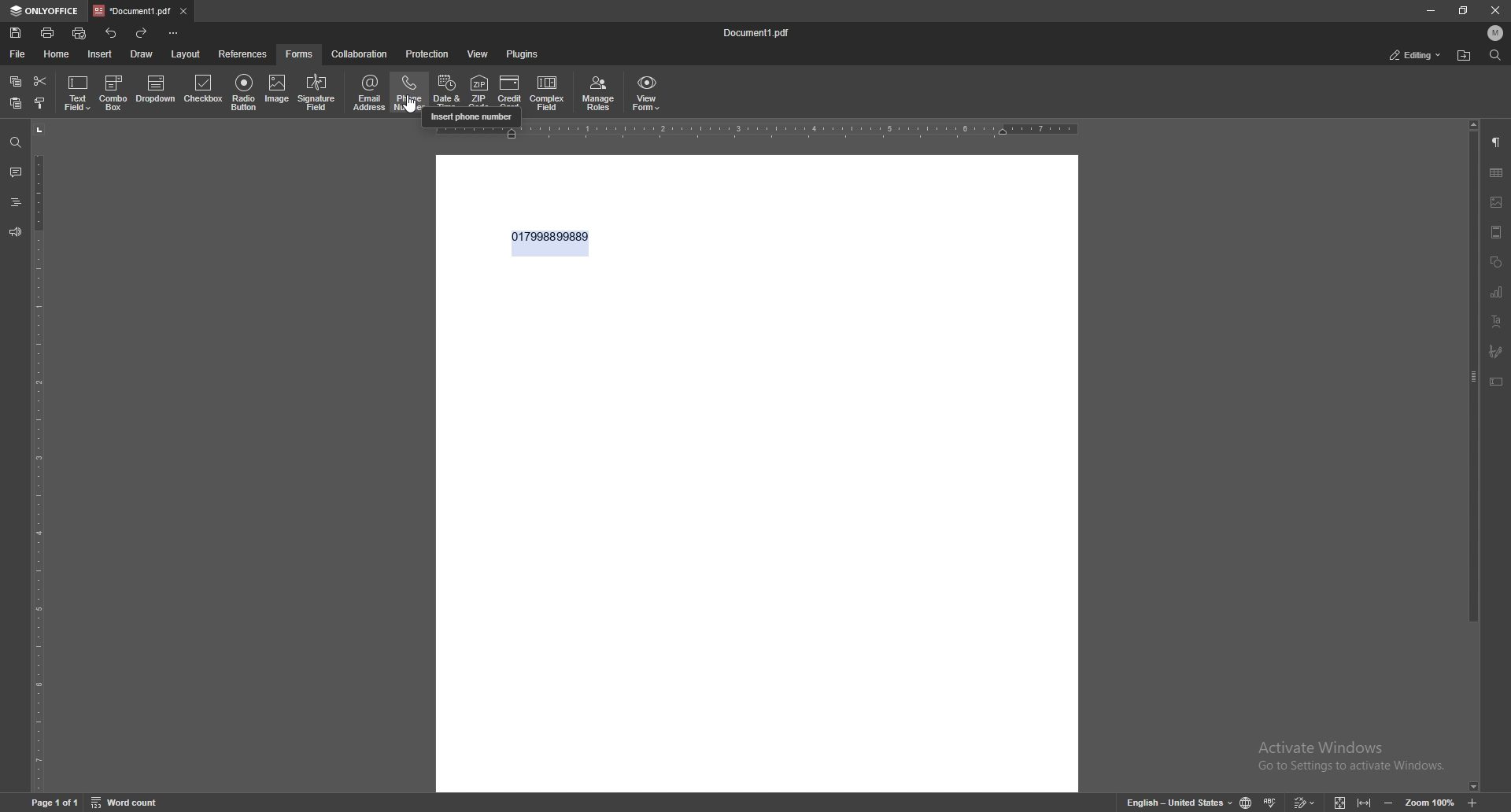 This screenshot has height=812, width=1511. I want to click on locate file, so click(1463, 56).